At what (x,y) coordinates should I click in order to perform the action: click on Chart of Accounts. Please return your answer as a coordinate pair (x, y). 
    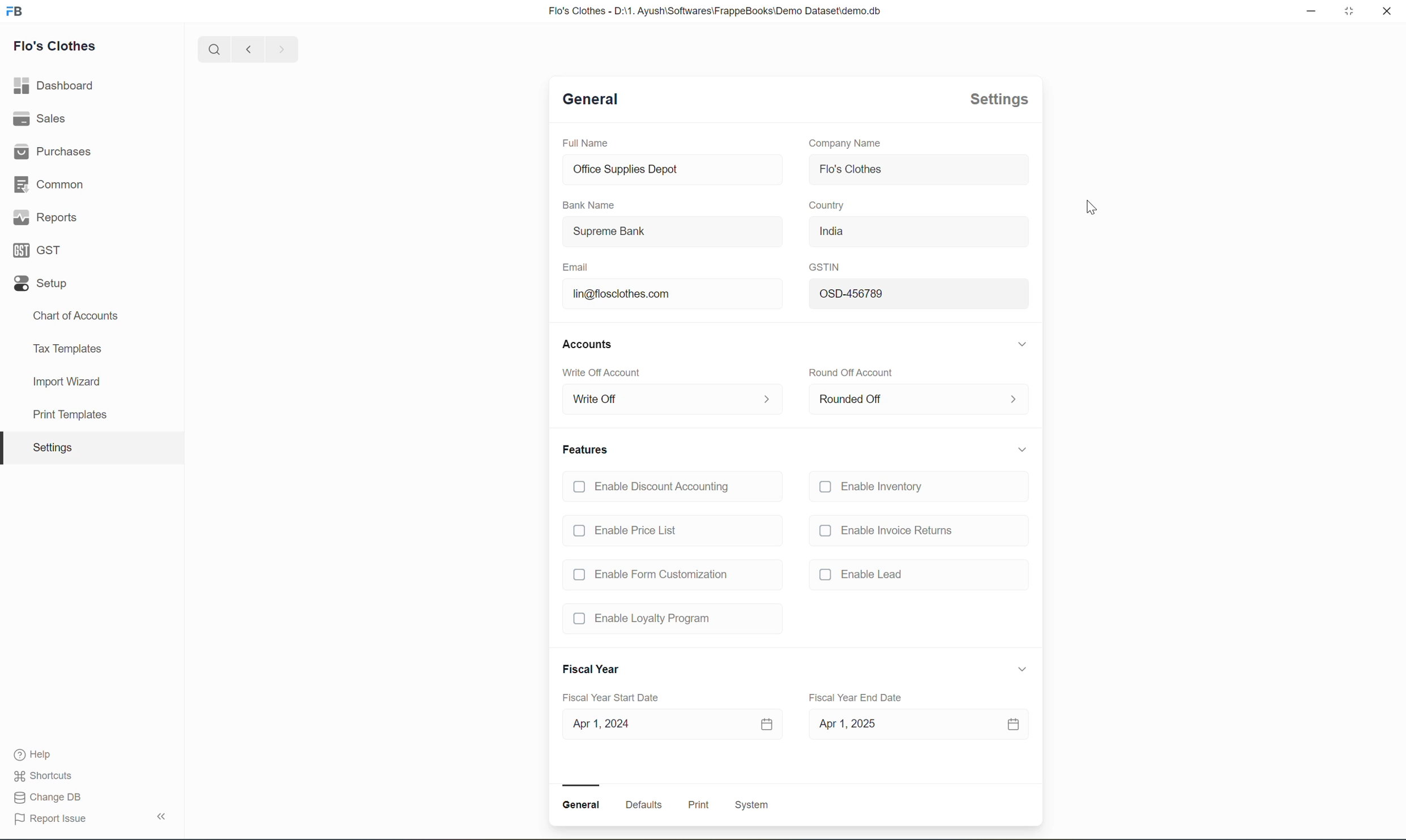
    Looking at the image, I should click on (75, 316).